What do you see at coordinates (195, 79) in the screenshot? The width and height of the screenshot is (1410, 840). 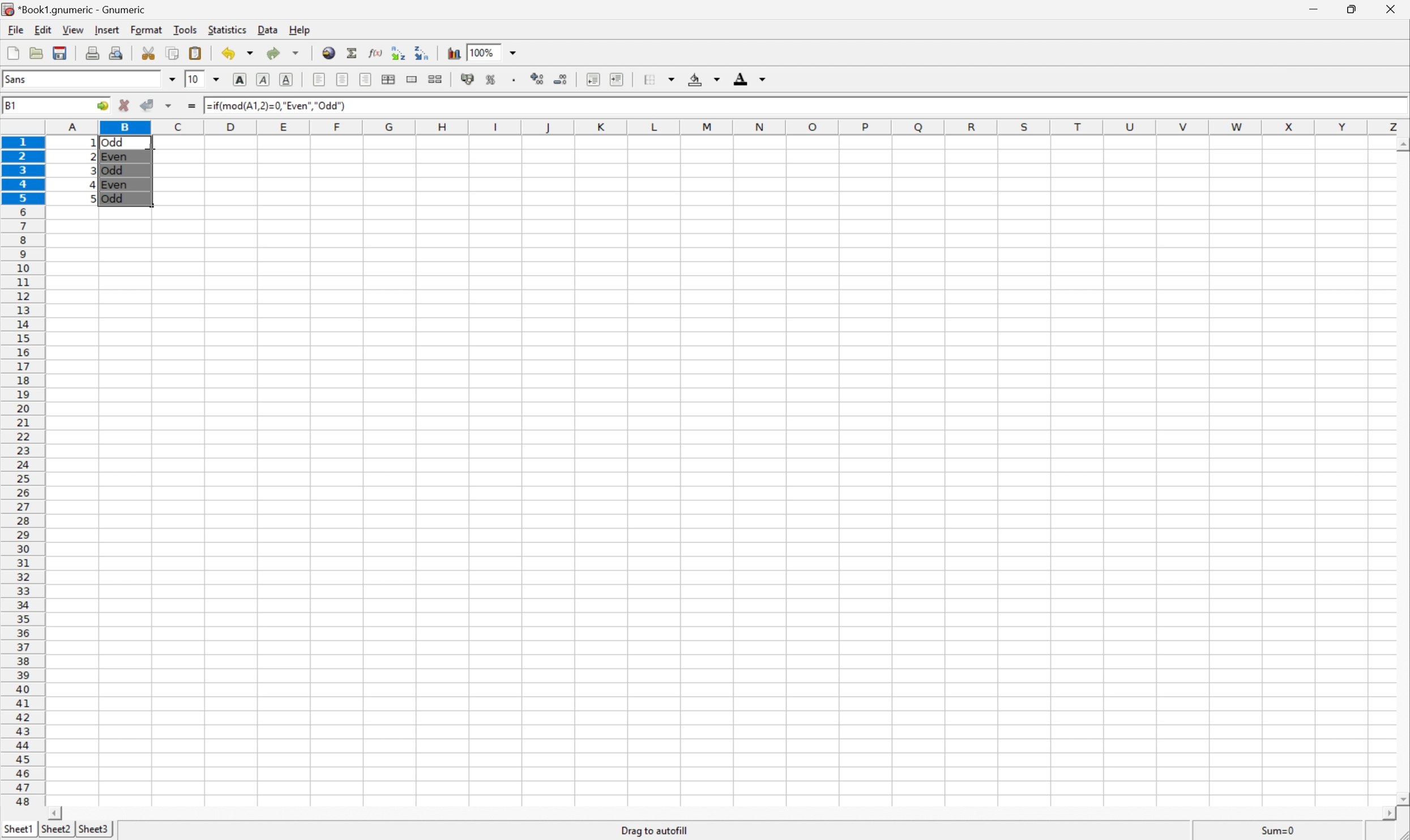 I see `10` at bounding box center [195, 79].